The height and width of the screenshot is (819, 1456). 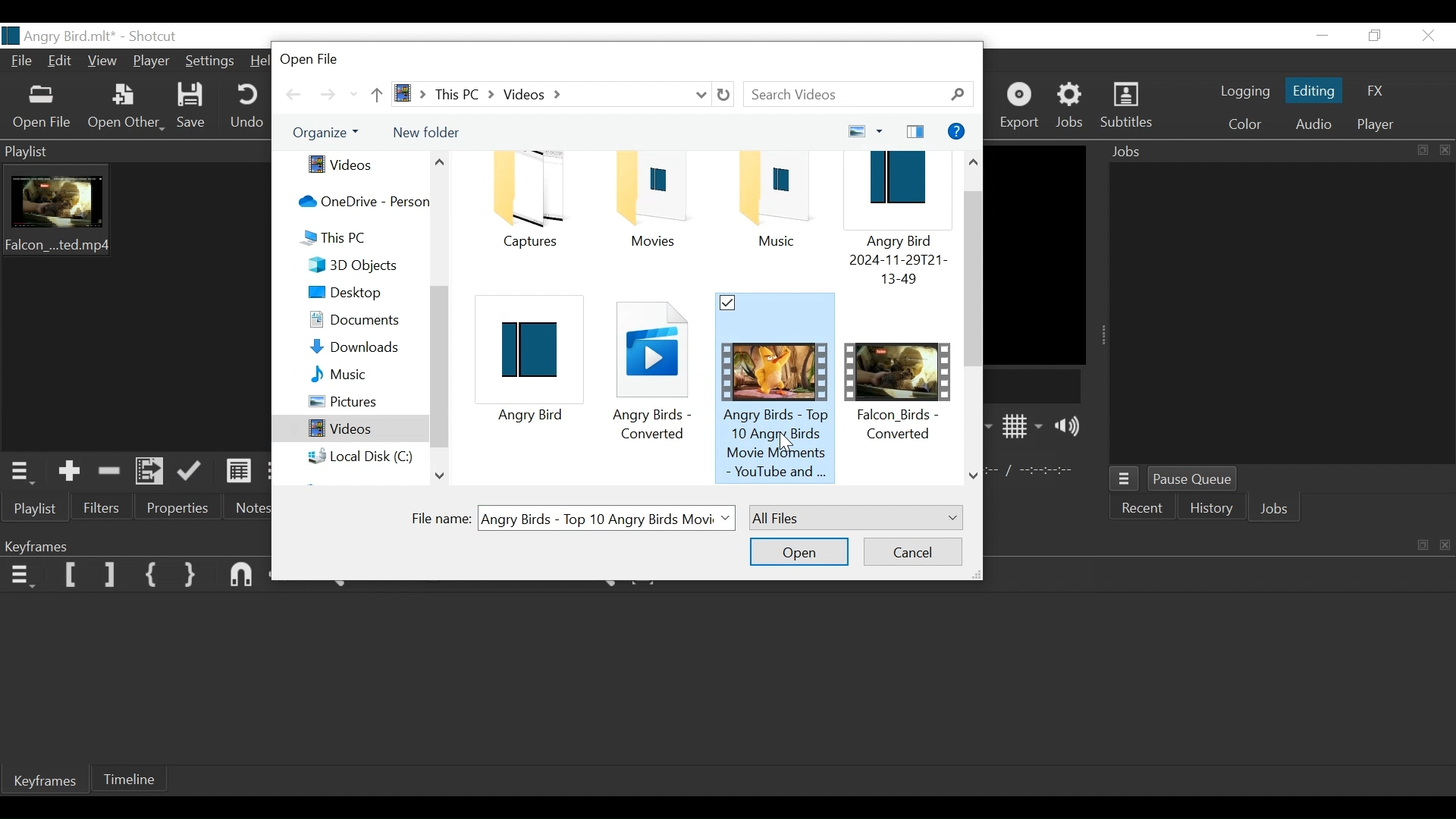 What do you see at coordinates (360, 265) in the screenshot?
I see `3D Object` at bounding box center [360, 265].